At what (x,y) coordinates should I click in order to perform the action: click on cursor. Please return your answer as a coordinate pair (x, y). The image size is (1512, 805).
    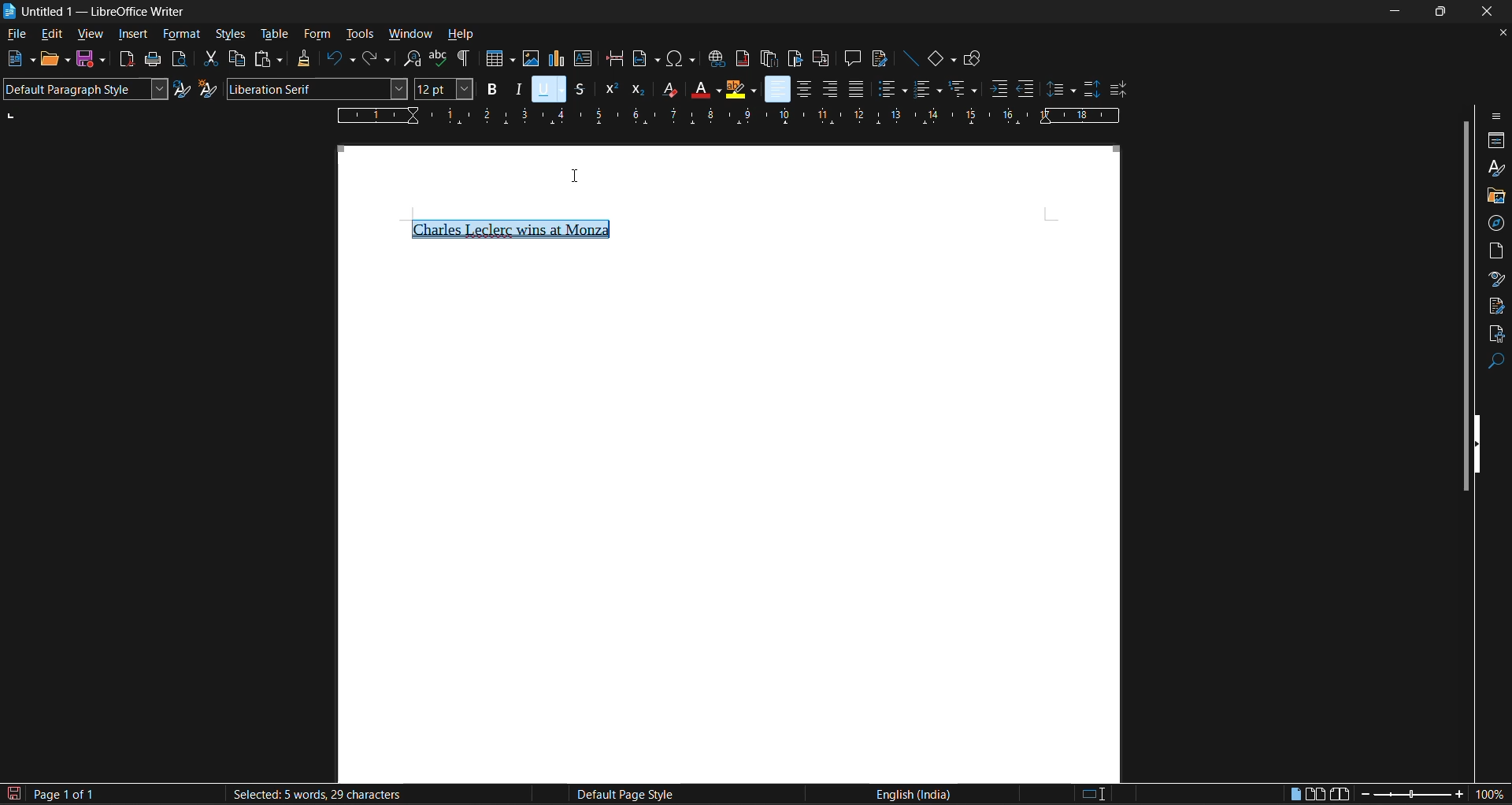
    Looking at the image, I should click on (580, 176).